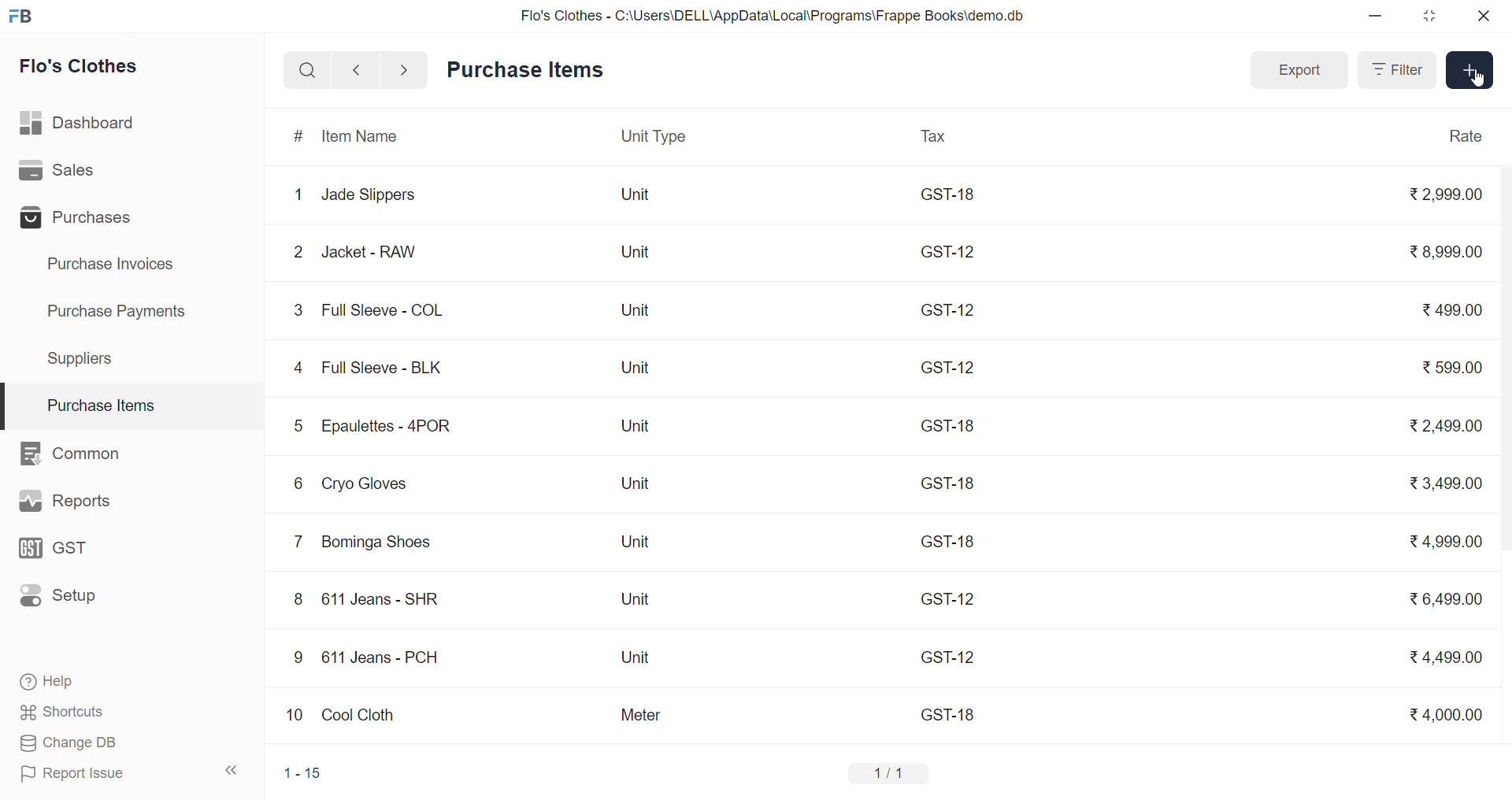 The image size is (1512, 800). I want to click on Reports, so click(66, 501).